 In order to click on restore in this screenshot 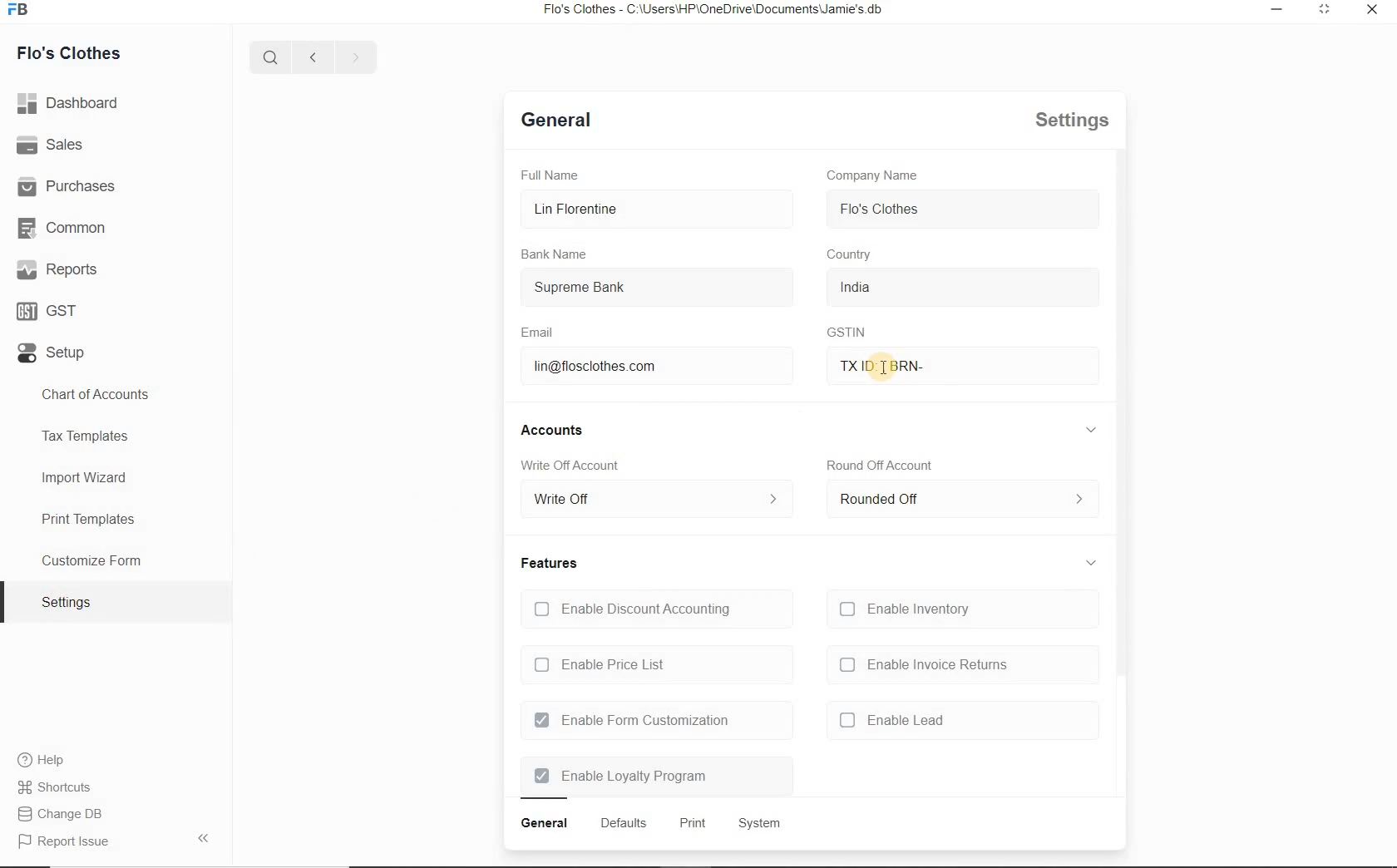, I will do `click(1279, 12)`.